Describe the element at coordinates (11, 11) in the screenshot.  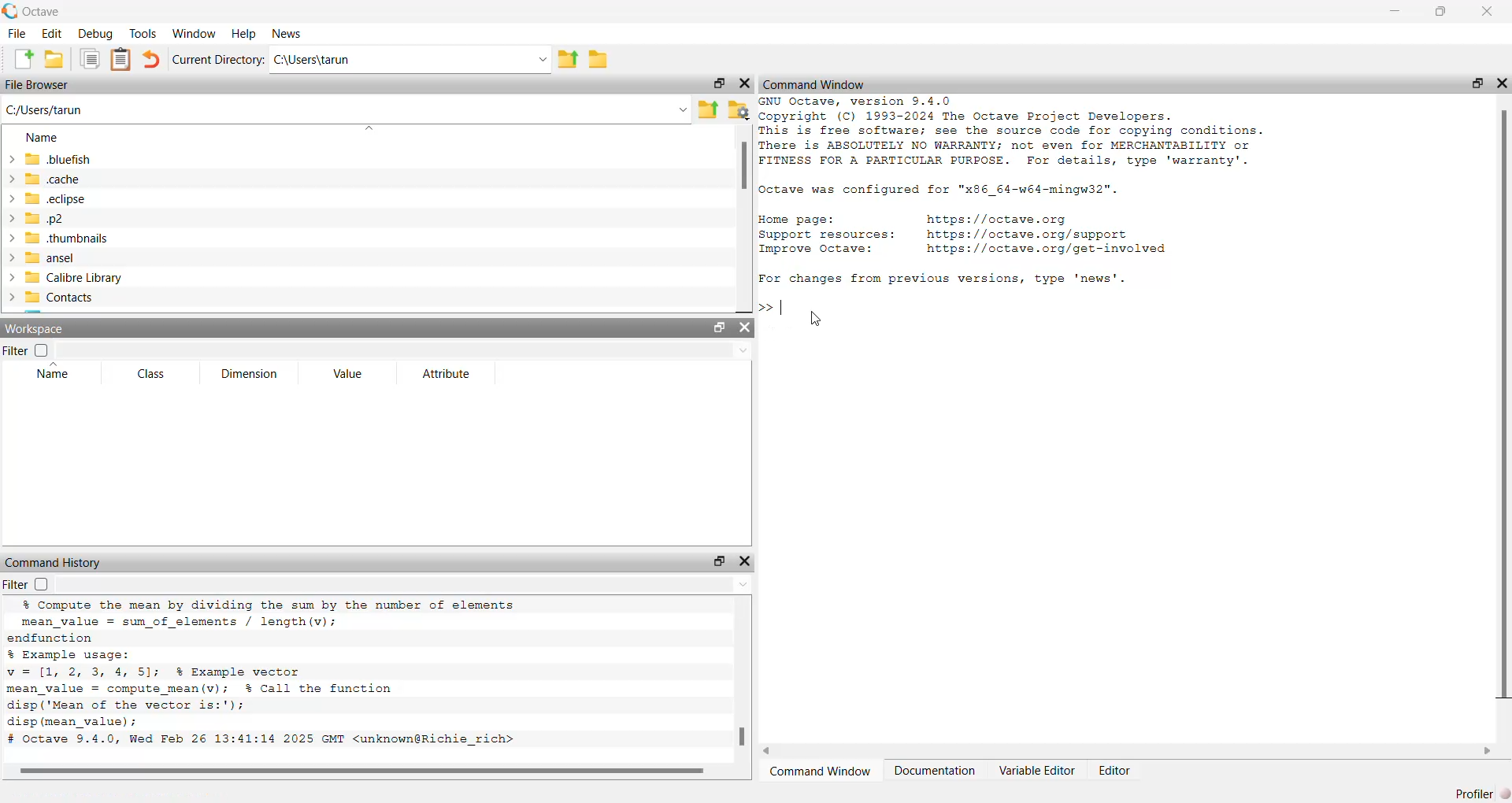
I see `logo` at that location.